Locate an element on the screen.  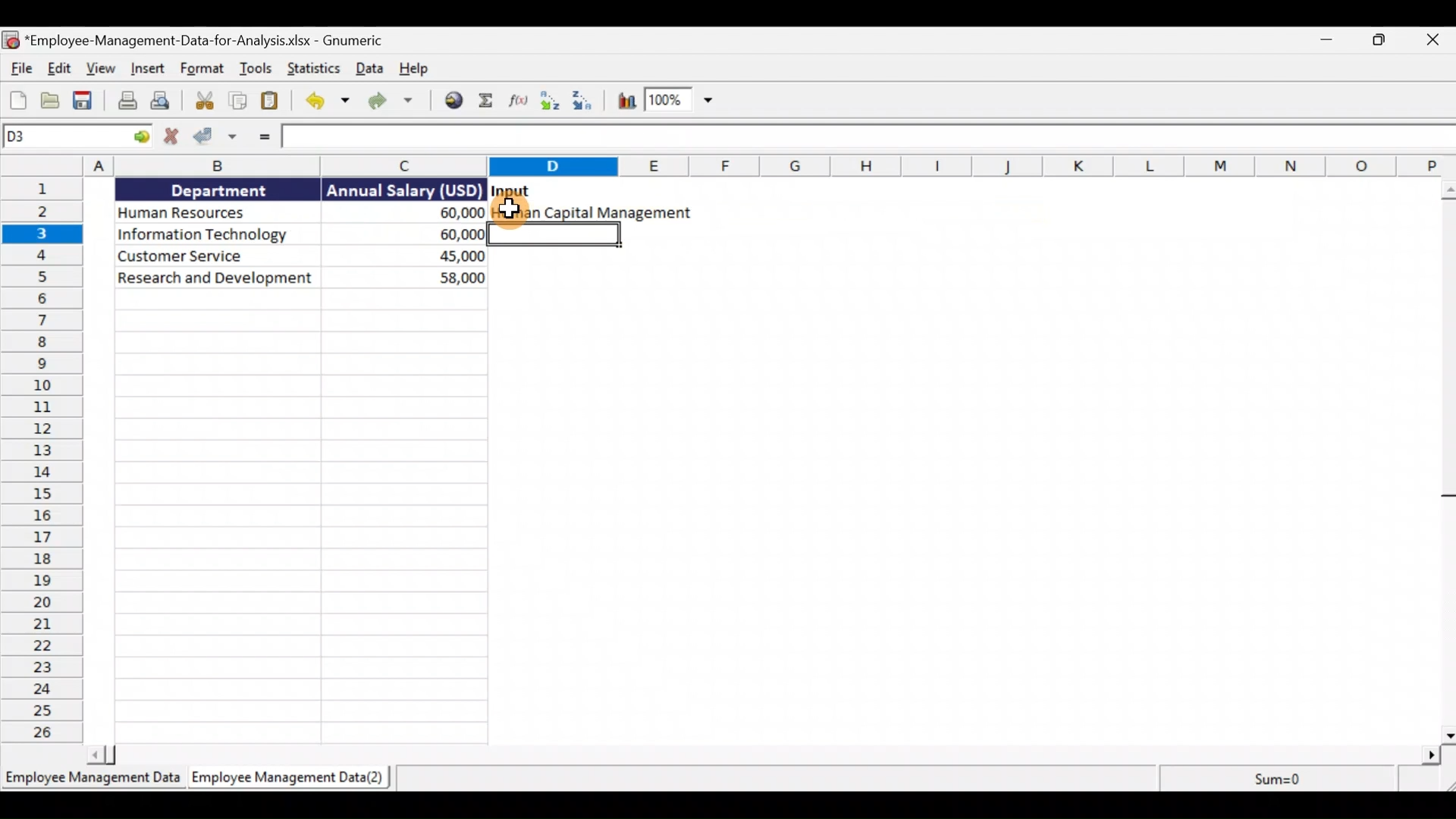
Edit a function in the current cell is located at coordinates (517, 102).